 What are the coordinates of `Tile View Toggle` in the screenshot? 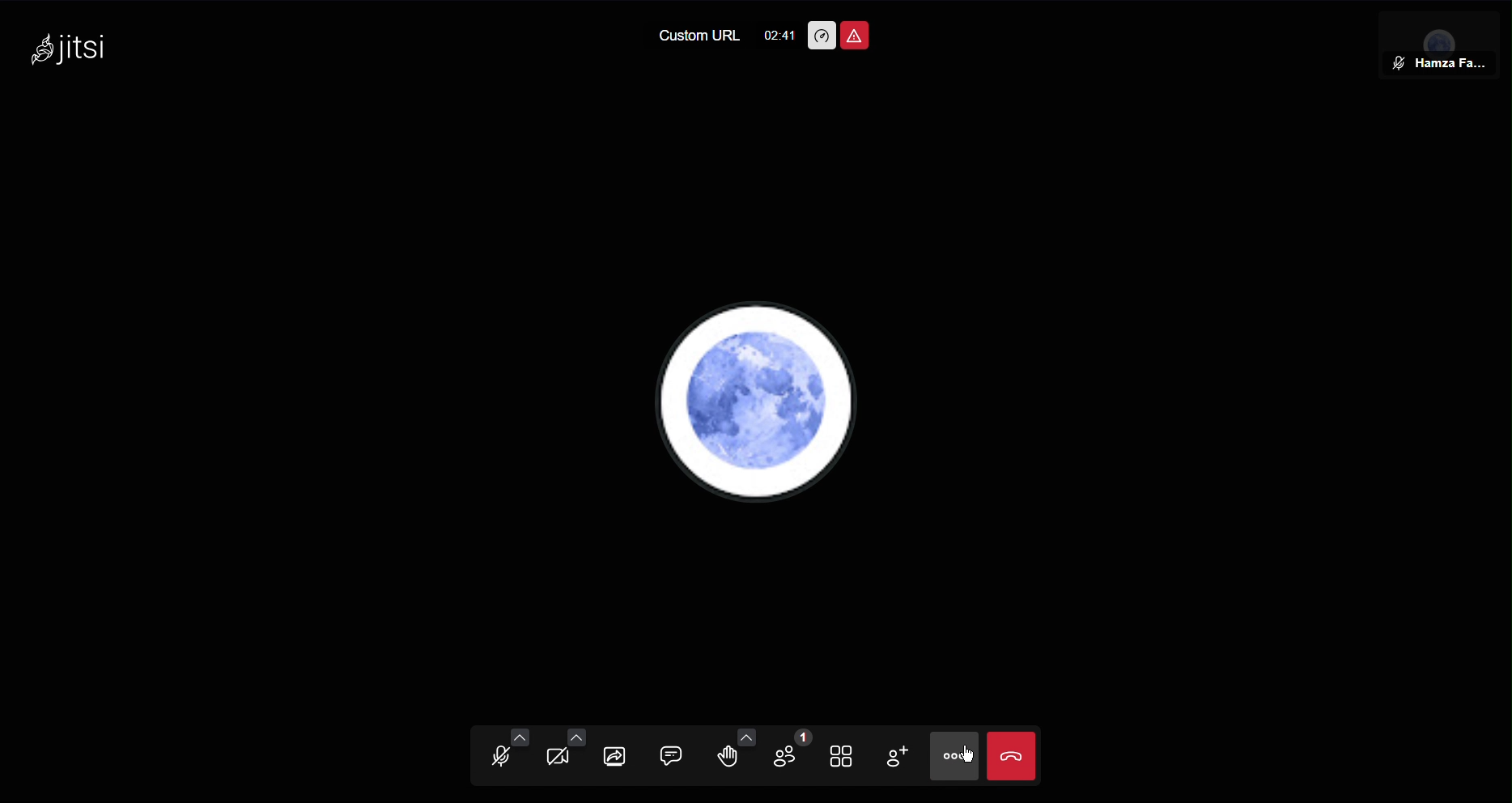 It's located at (847, 755).